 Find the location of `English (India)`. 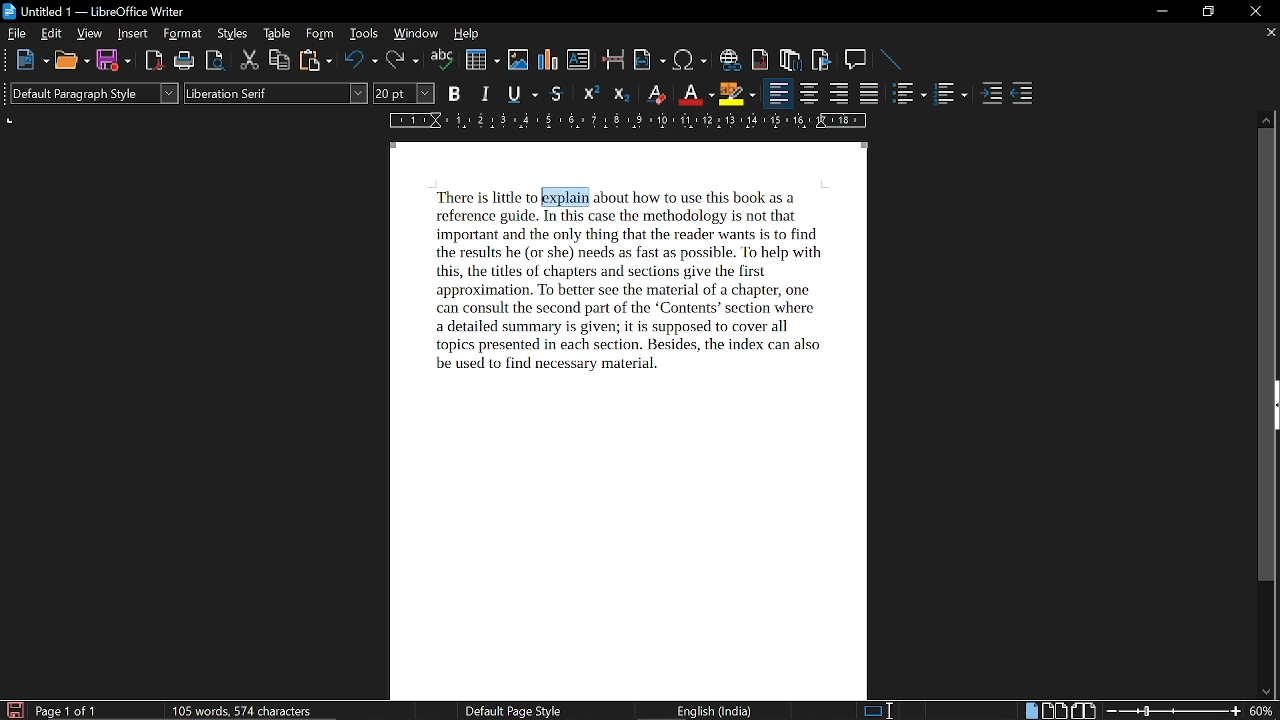

English (India) is located at coordinates (718, 710).